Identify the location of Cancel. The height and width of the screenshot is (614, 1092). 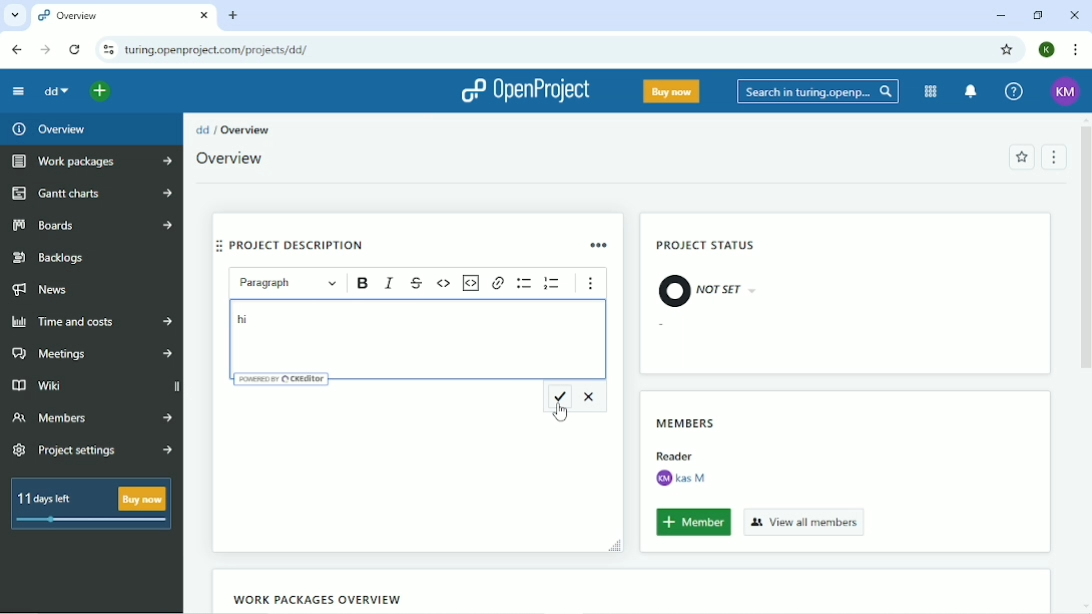
(592, 395).